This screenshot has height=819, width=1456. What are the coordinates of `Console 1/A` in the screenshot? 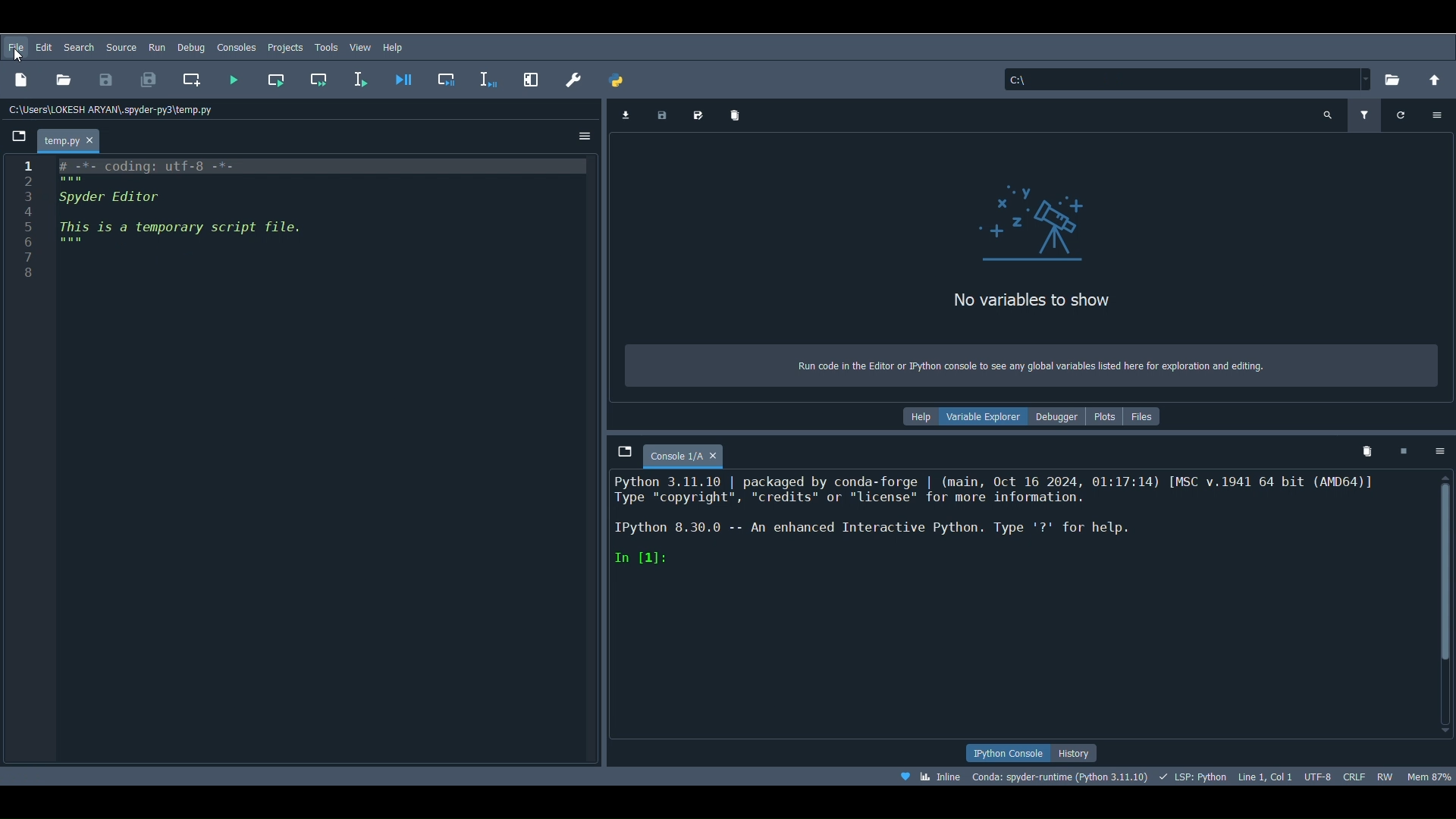 It's located at (699, 454).